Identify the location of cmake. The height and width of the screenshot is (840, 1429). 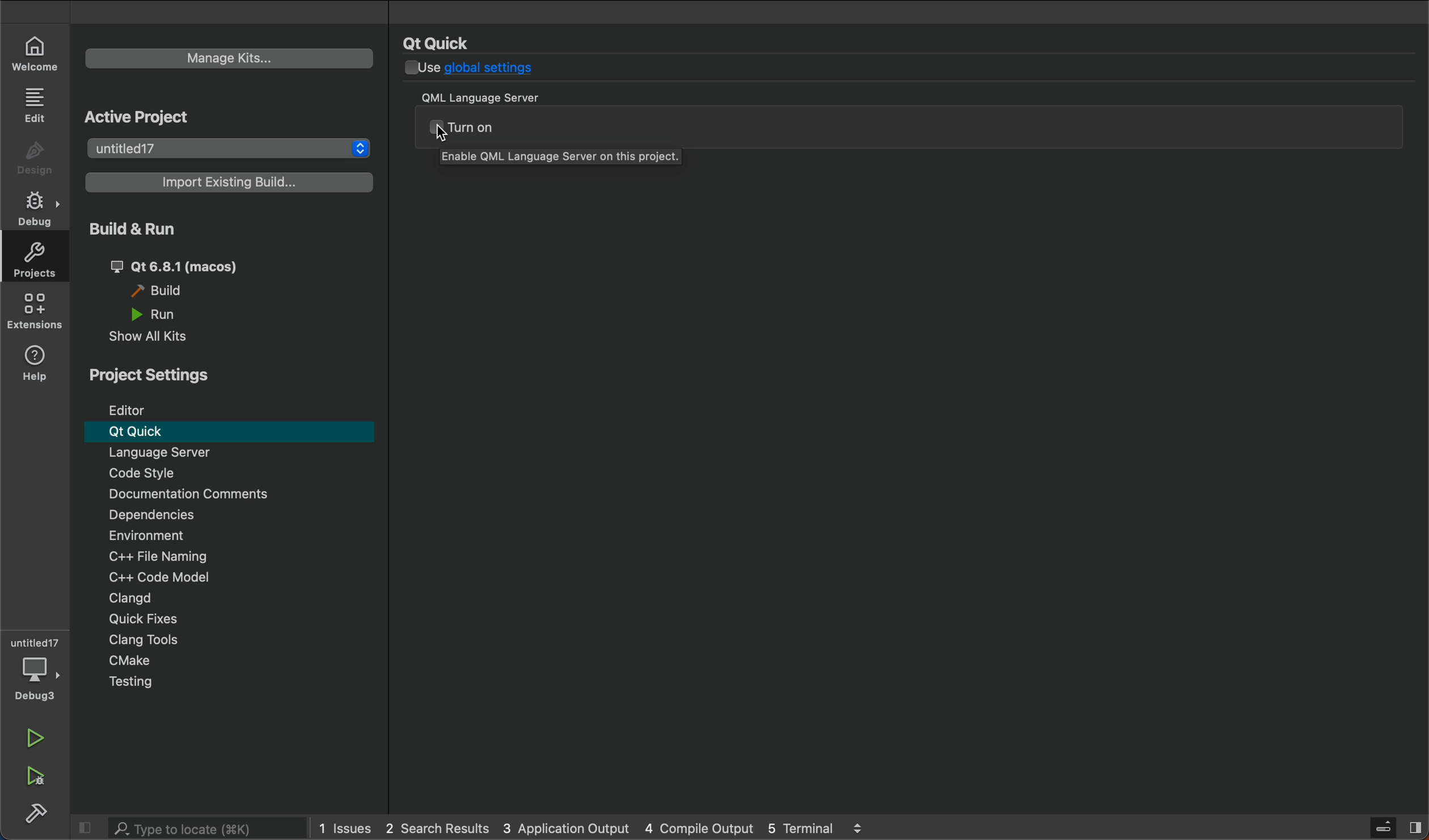
(238, 661).